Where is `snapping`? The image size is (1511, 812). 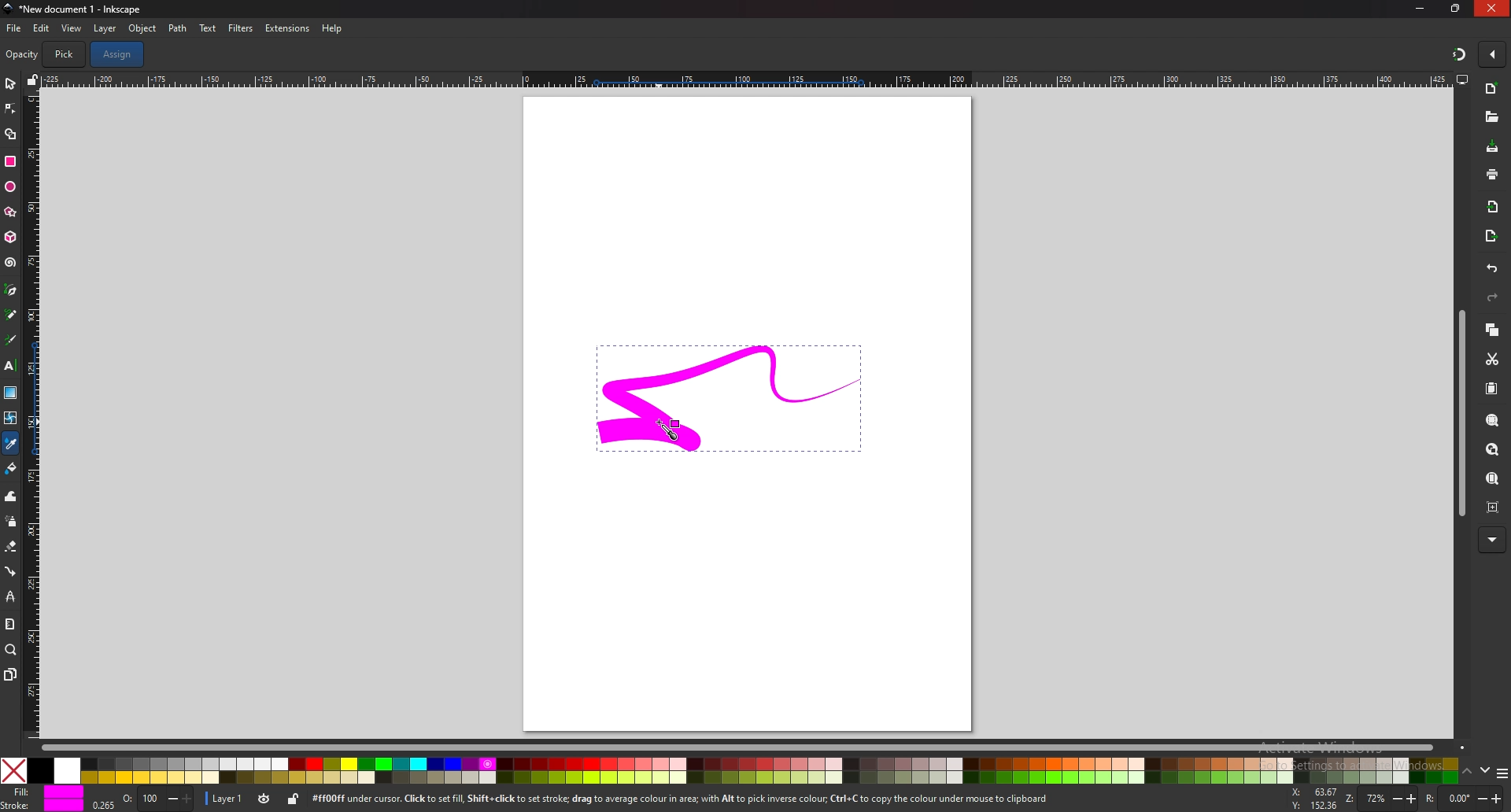
snapping is located at coordinates (1461, 54).